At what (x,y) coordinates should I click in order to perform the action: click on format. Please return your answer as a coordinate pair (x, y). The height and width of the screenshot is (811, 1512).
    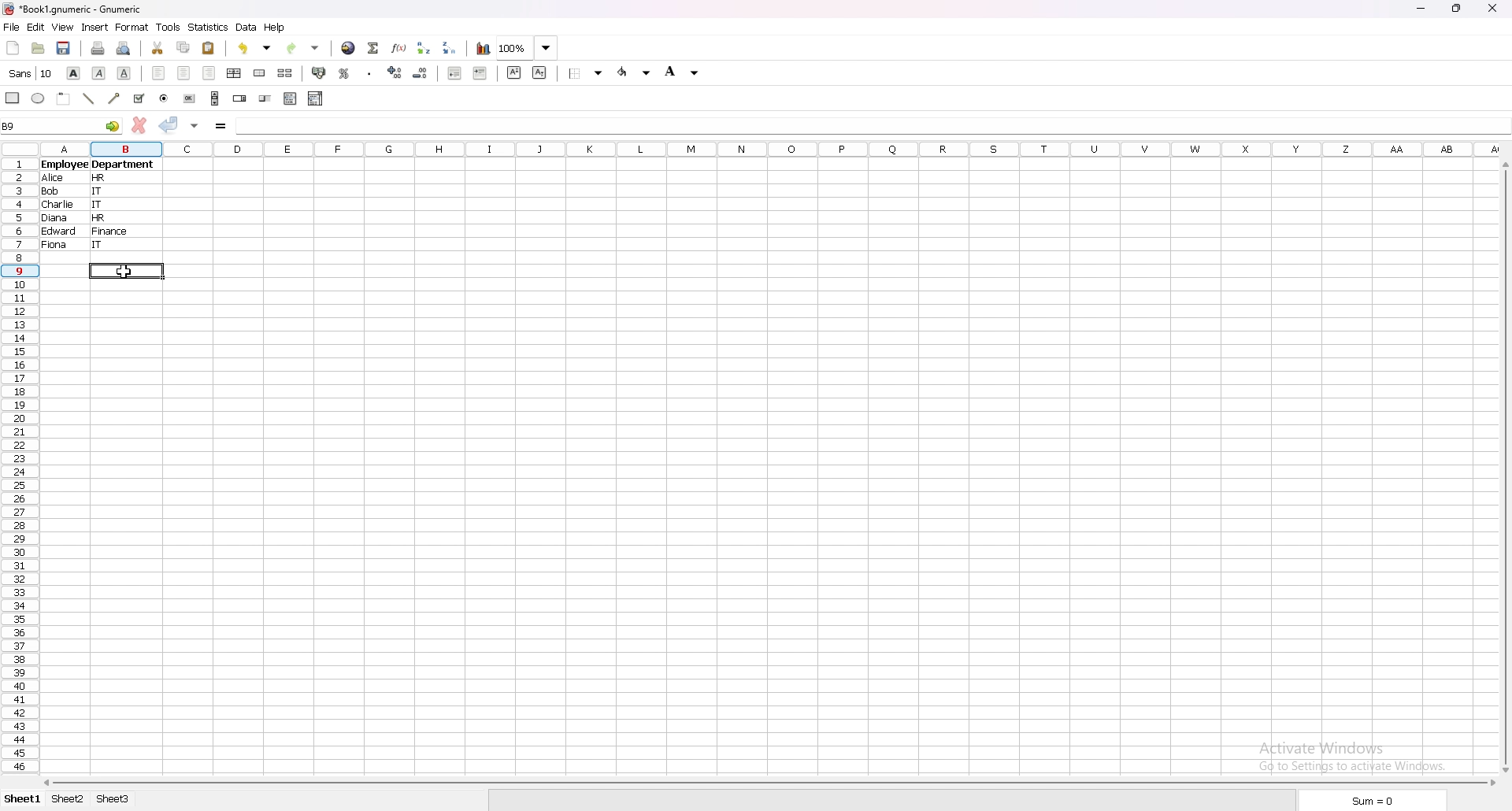
    Looking at the image, I should click on (132, 28).